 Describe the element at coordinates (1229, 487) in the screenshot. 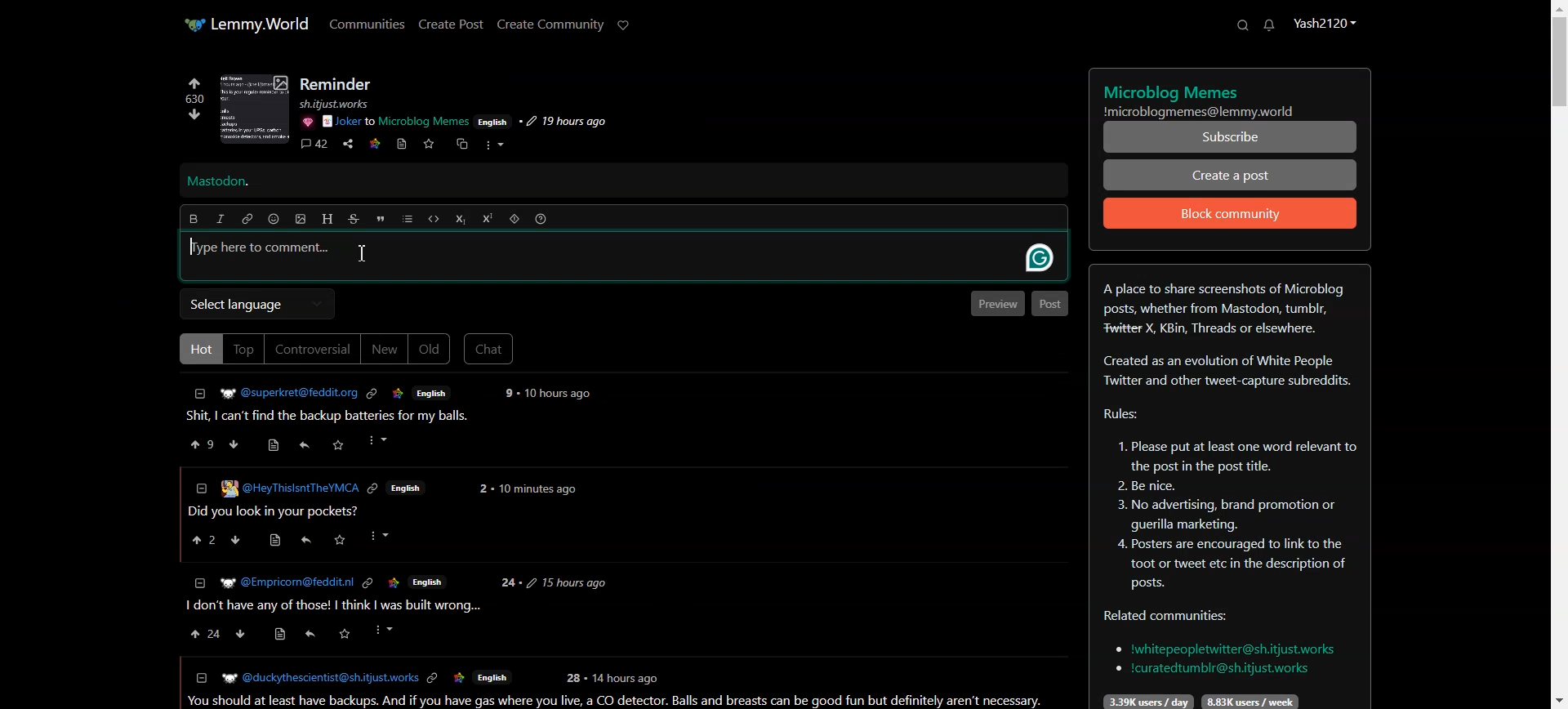

I see `Text` at that location.